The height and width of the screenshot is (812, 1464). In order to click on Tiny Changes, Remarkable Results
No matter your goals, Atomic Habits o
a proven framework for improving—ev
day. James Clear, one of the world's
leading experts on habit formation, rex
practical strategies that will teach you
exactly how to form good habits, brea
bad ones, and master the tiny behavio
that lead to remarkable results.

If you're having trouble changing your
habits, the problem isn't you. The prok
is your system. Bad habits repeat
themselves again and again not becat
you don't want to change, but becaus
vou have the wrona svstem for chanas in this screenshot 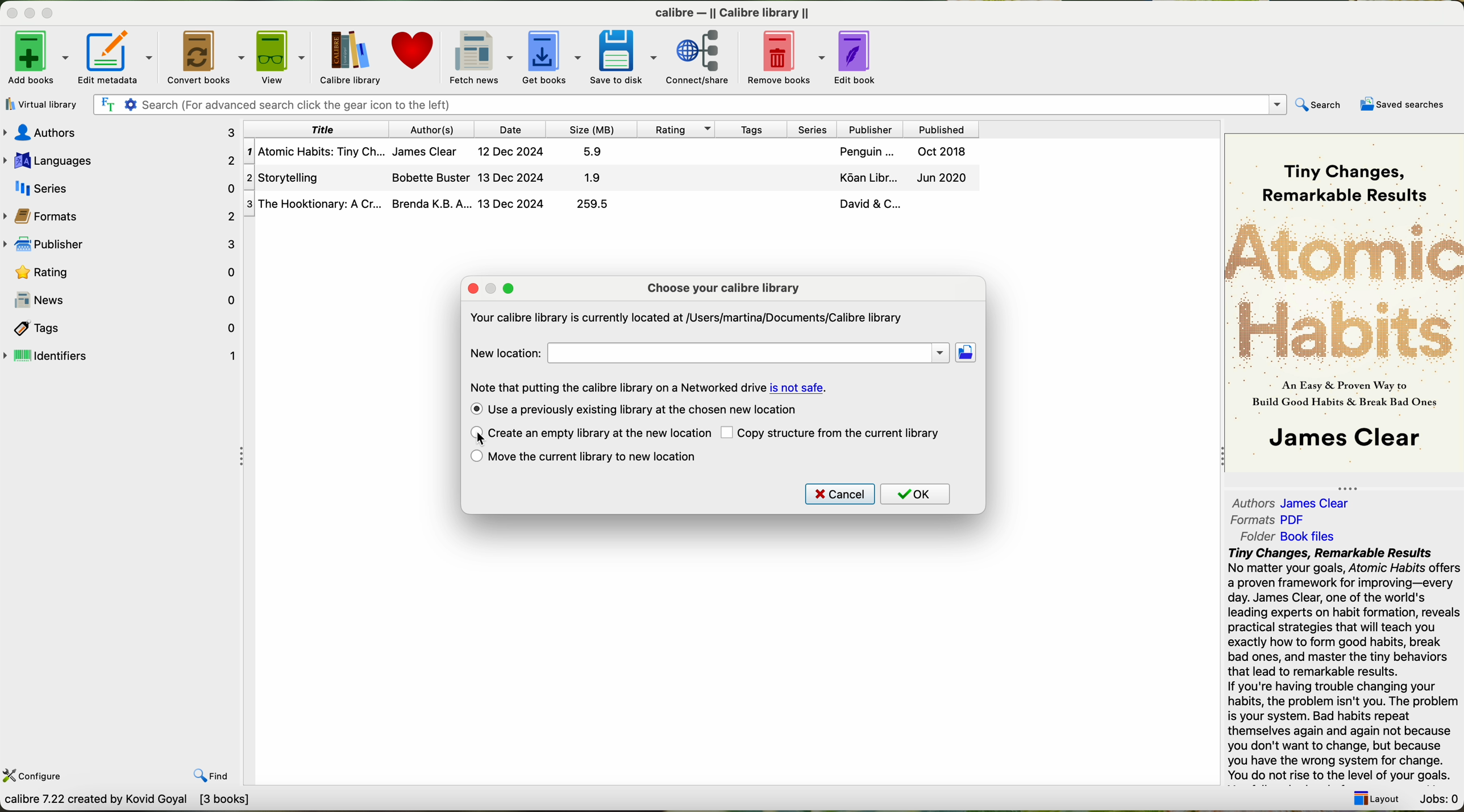, I will do `click(1342, 663)`.